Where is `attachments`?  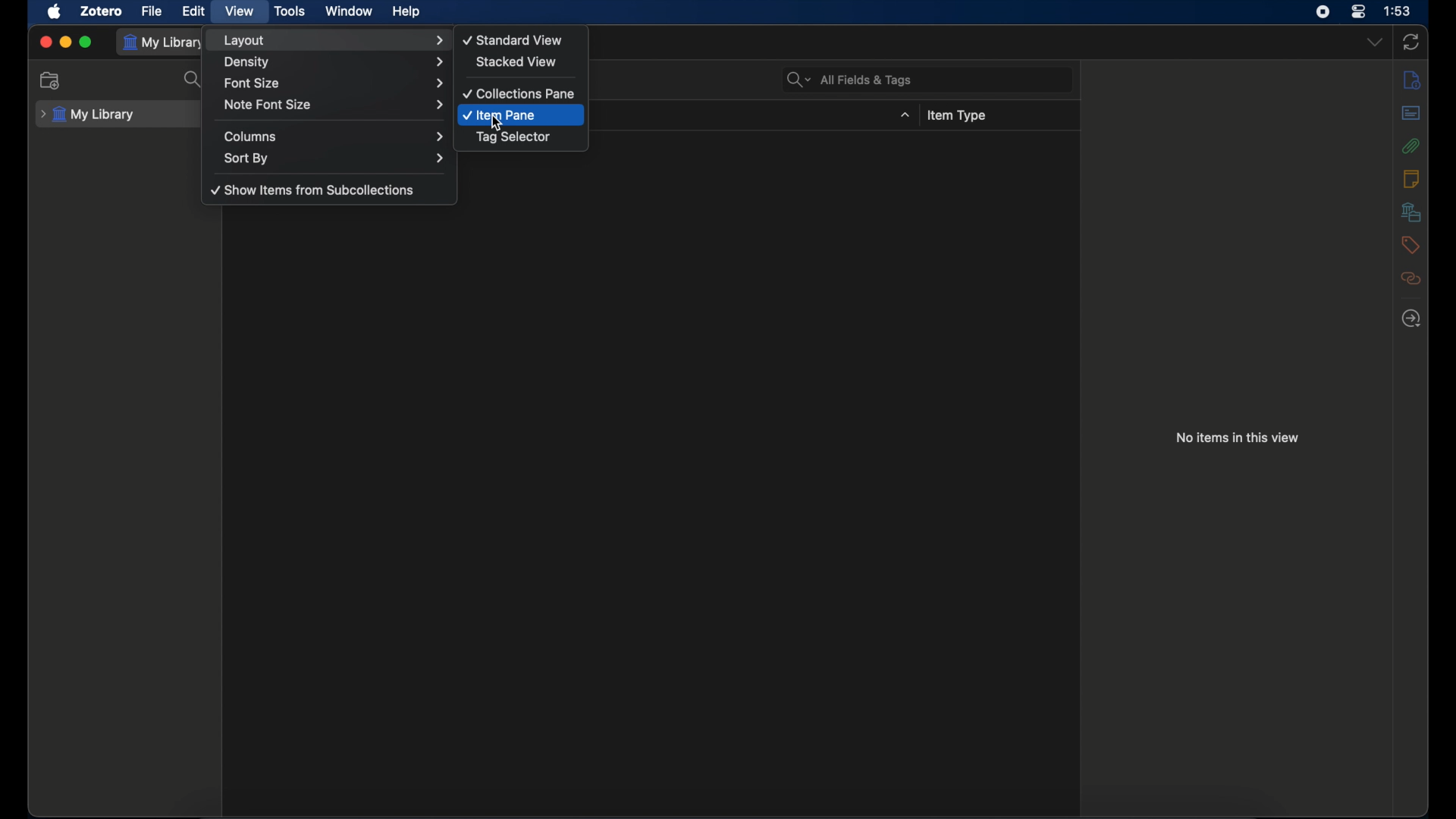
attachments is located at coordinates (1410, 146).